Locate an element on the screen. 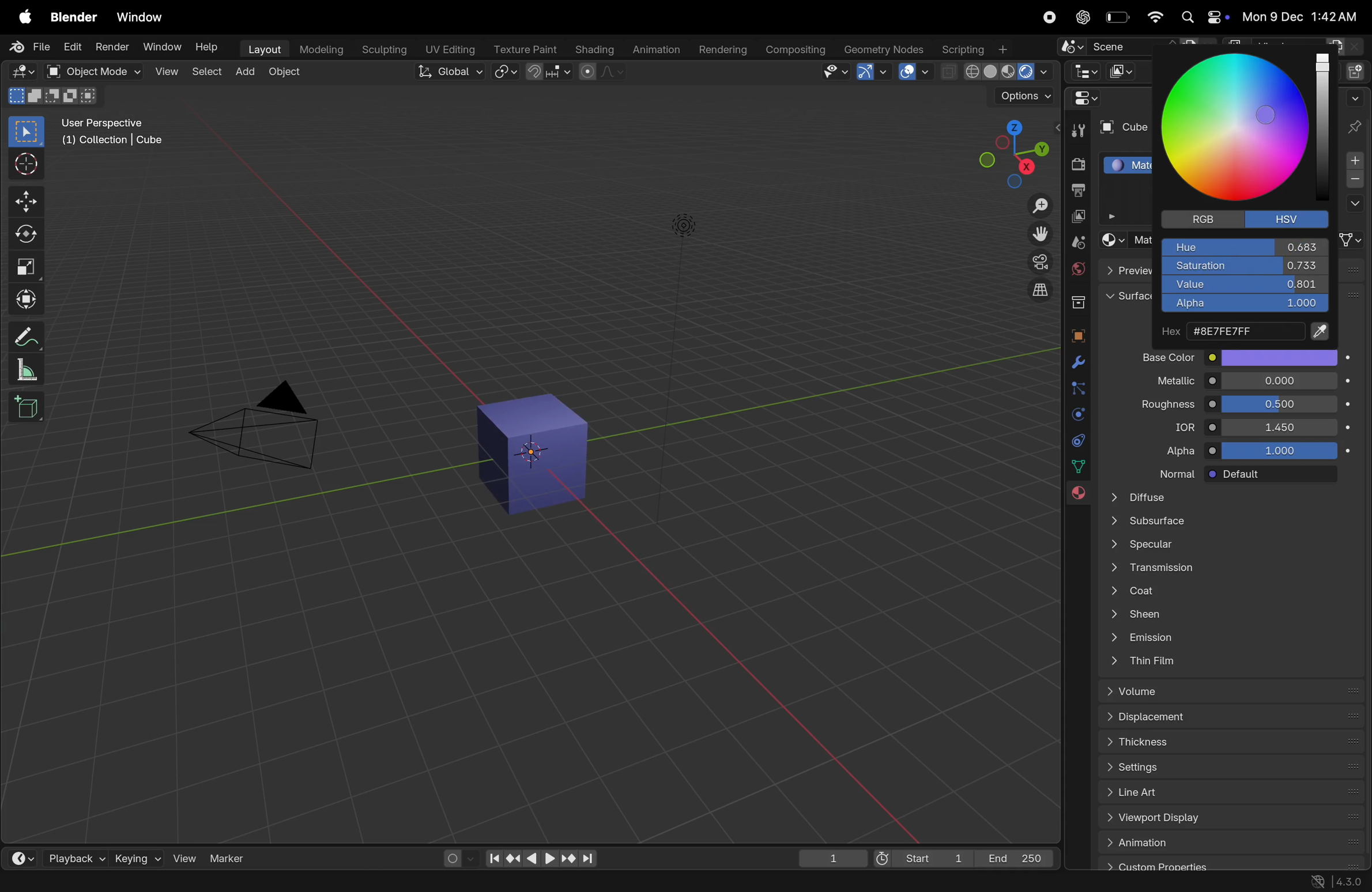 This screenshot has height=892, width=1372. metallic is located at coordinates (1163, 382).